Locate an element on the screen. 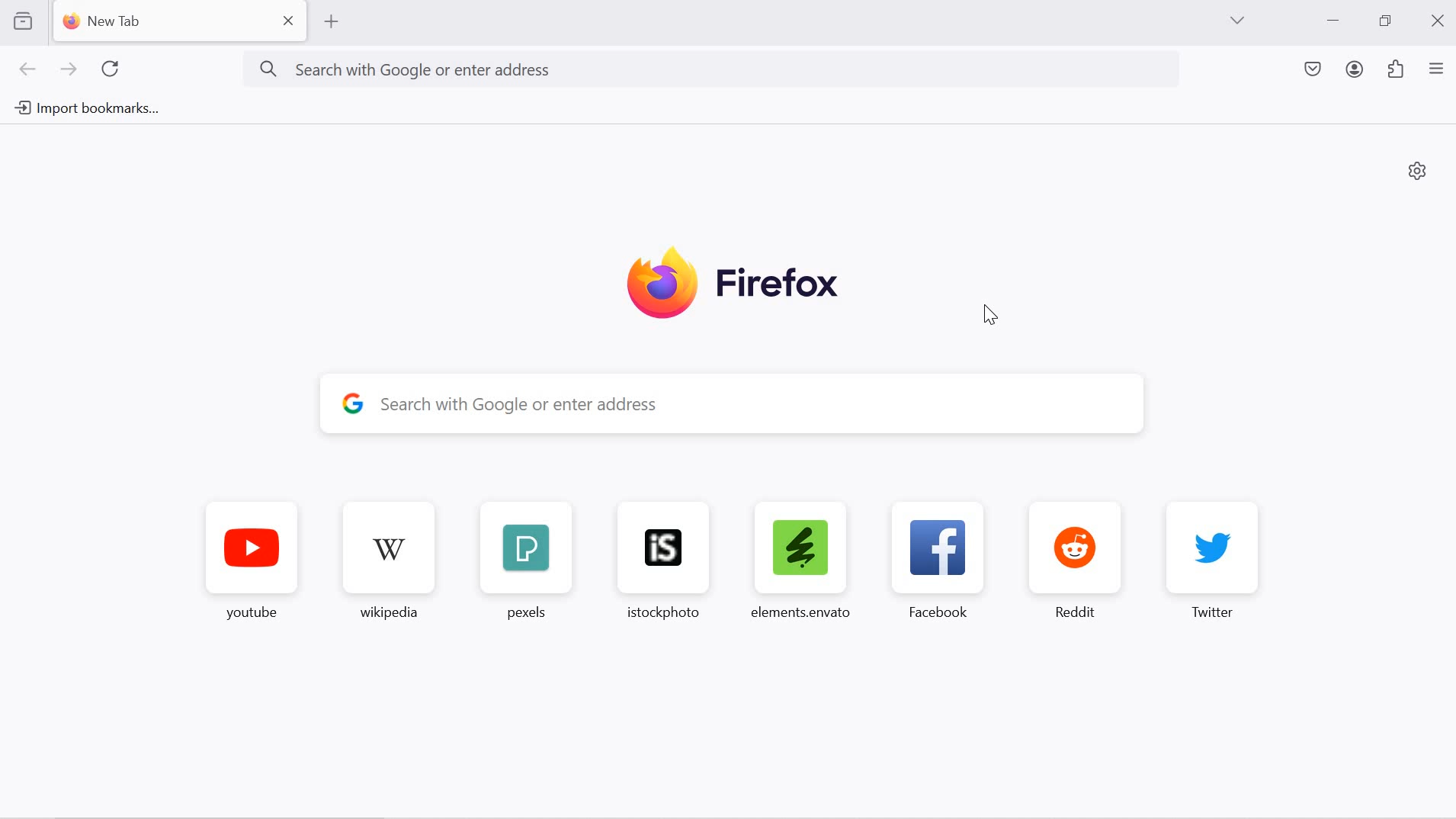 The height and width of the screenshot is (819, 1456). minimize is located at coordinates (1333, 19).